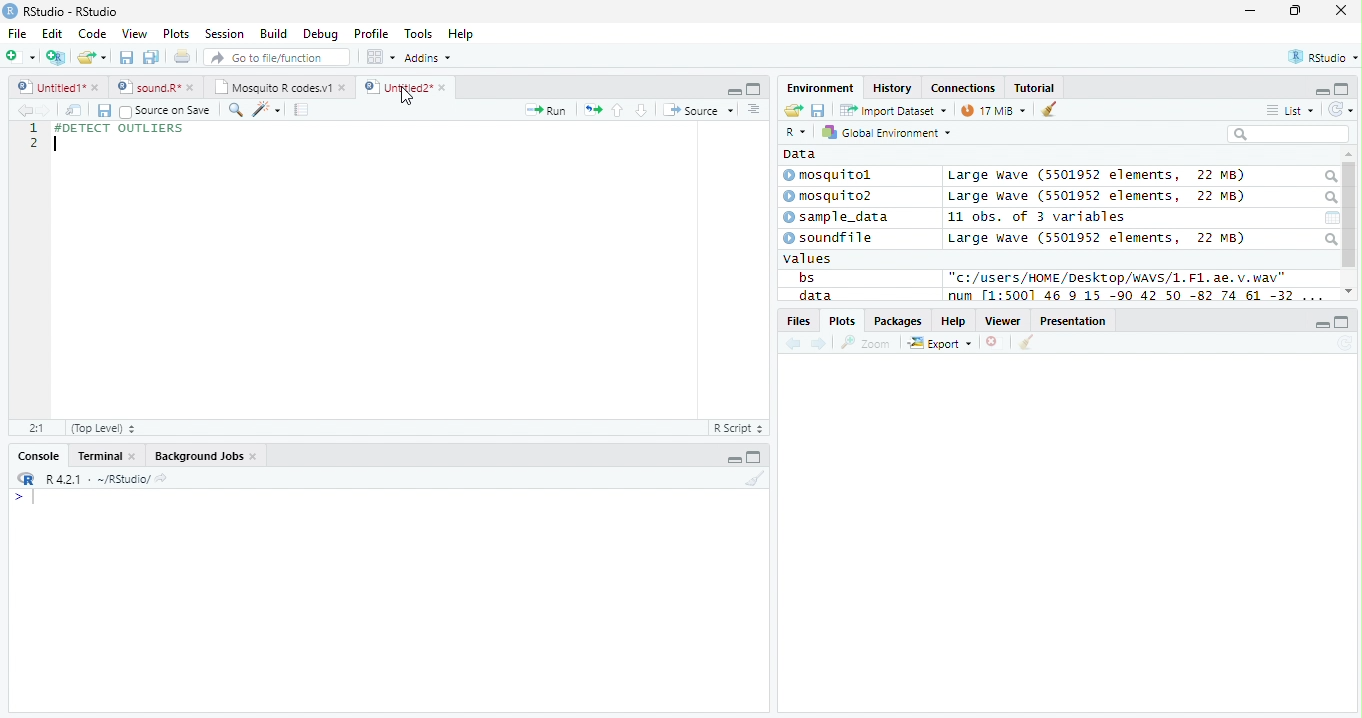  What do you see at coordinates (53, 34) in the screenshot?
I see `Edit` at bounding box center [53, 34].